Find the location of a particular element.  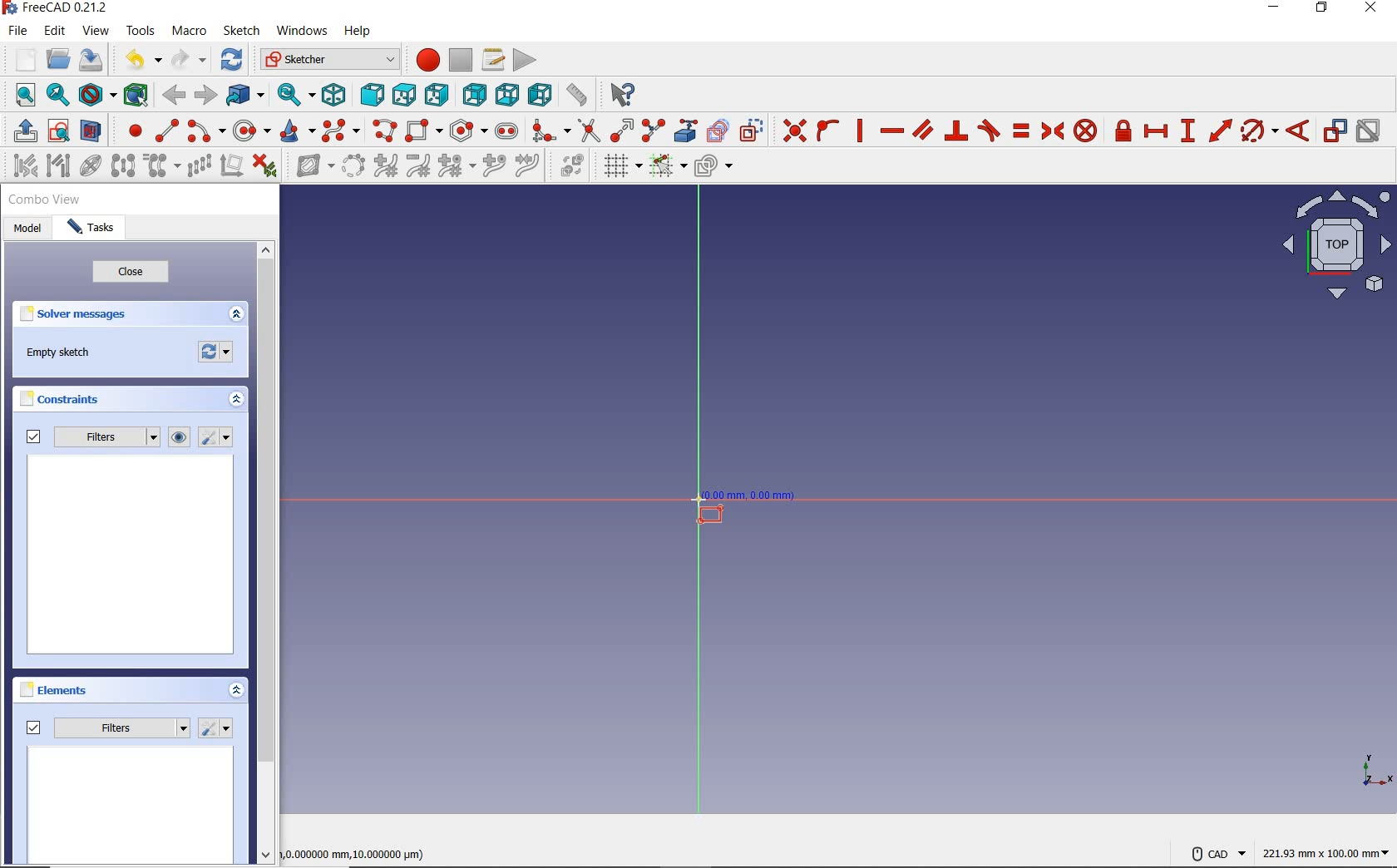

undo is located at coordinates (136, 60).